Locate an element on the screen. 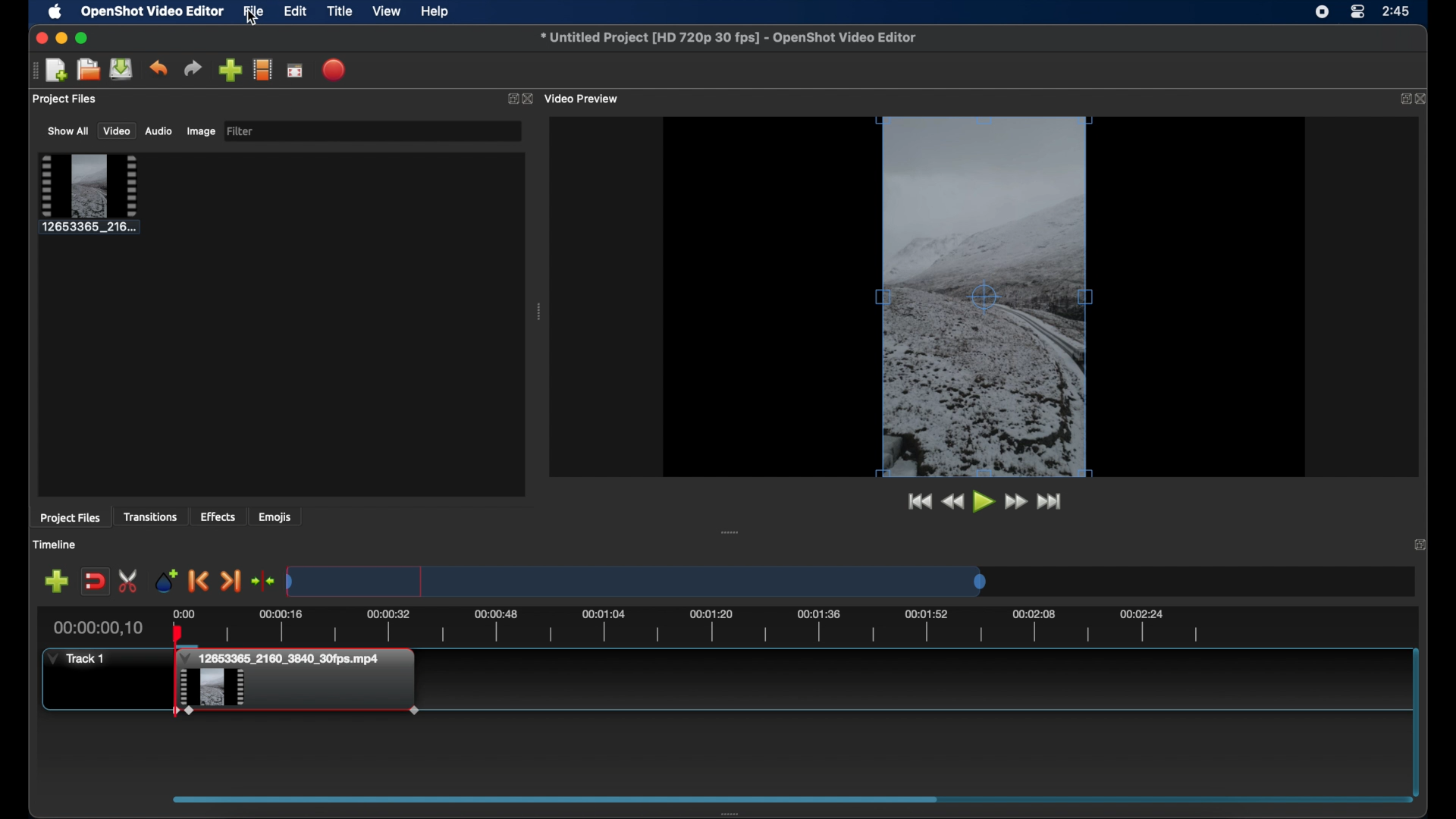 The width and height of the screenshot is (1456, 819). expand is located at coordinates (509, 98).